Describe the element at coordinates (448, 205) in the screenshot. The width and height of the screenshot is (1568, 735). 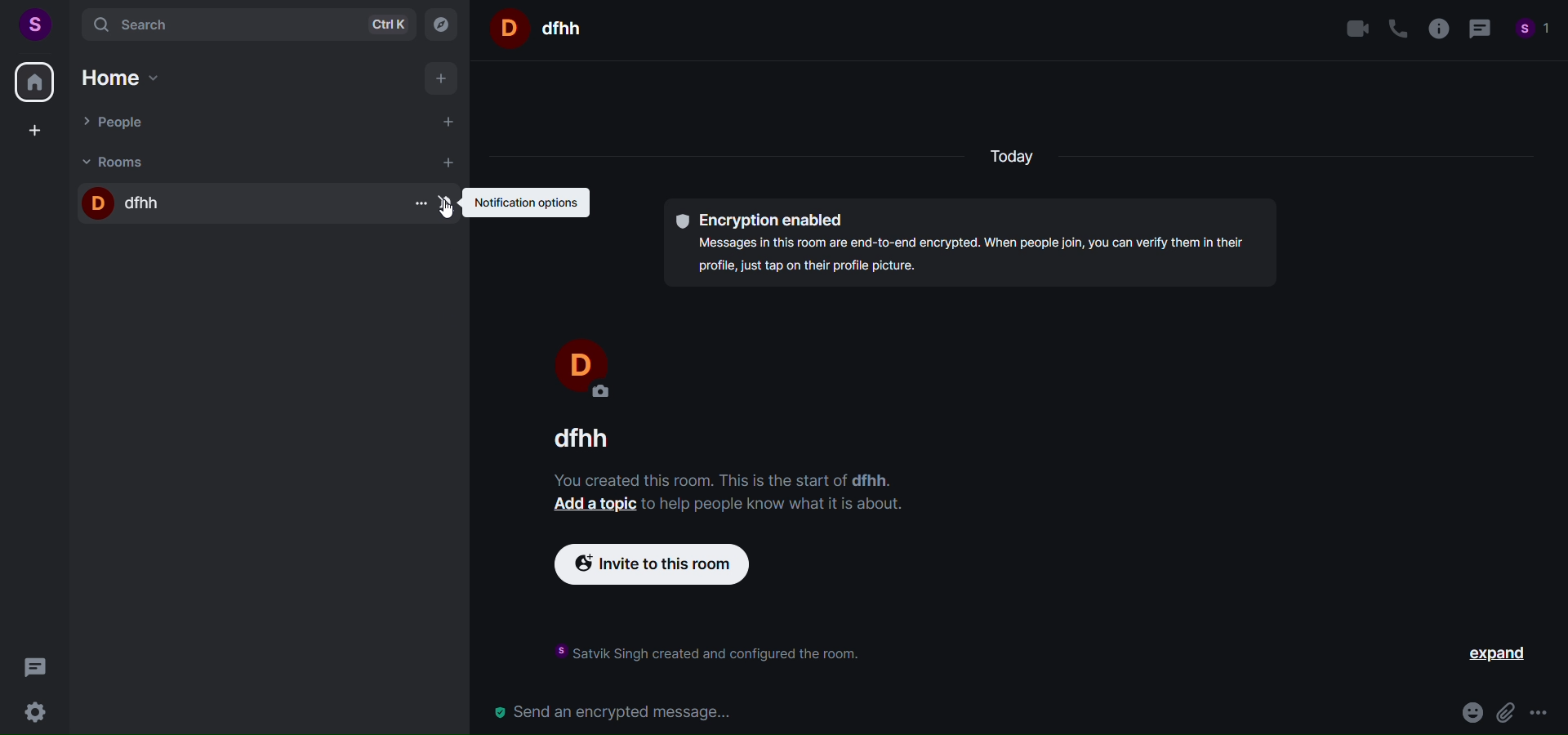
I see `muted notification` at that location.